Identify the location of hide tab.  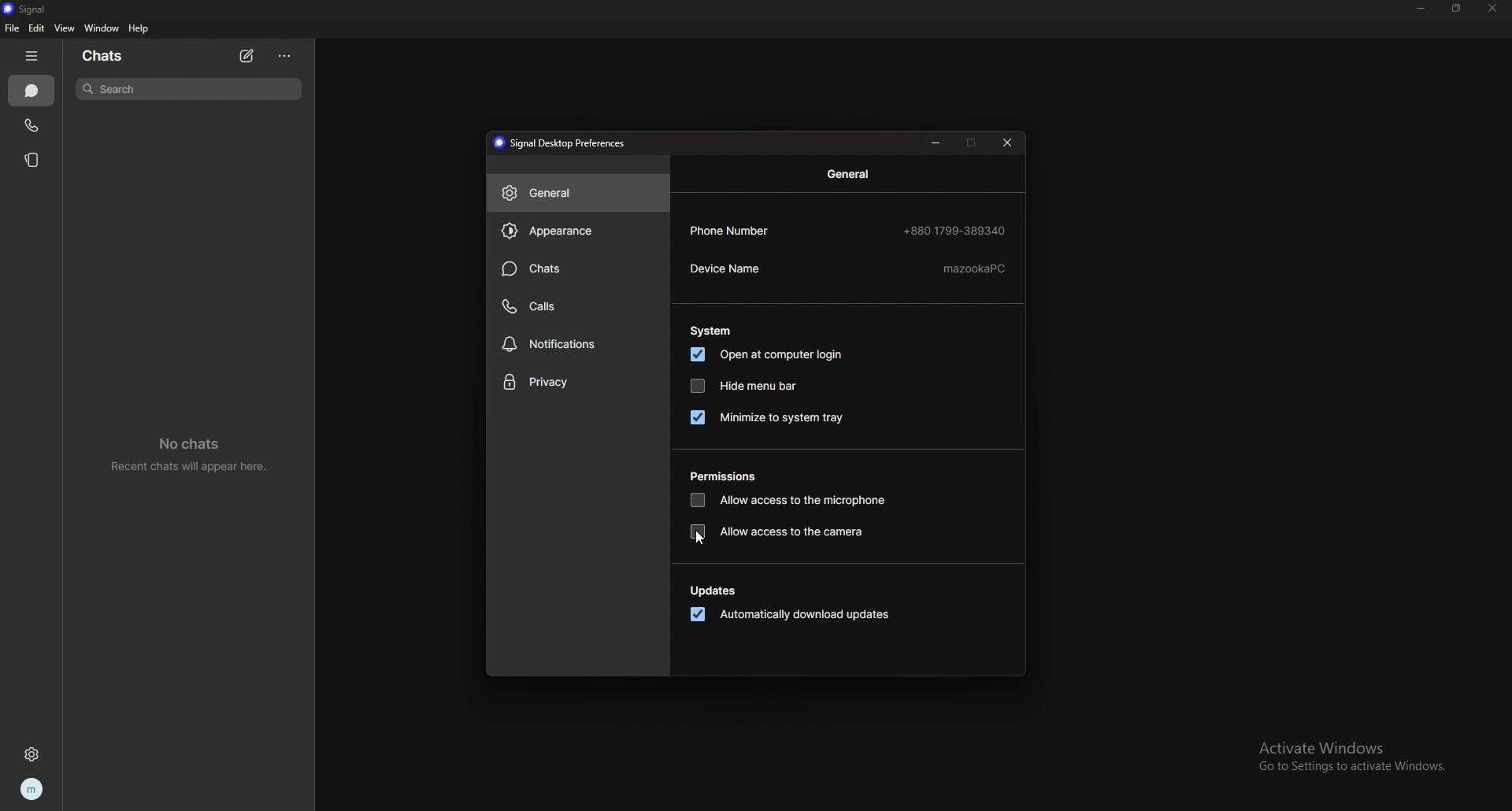
(31, 56).